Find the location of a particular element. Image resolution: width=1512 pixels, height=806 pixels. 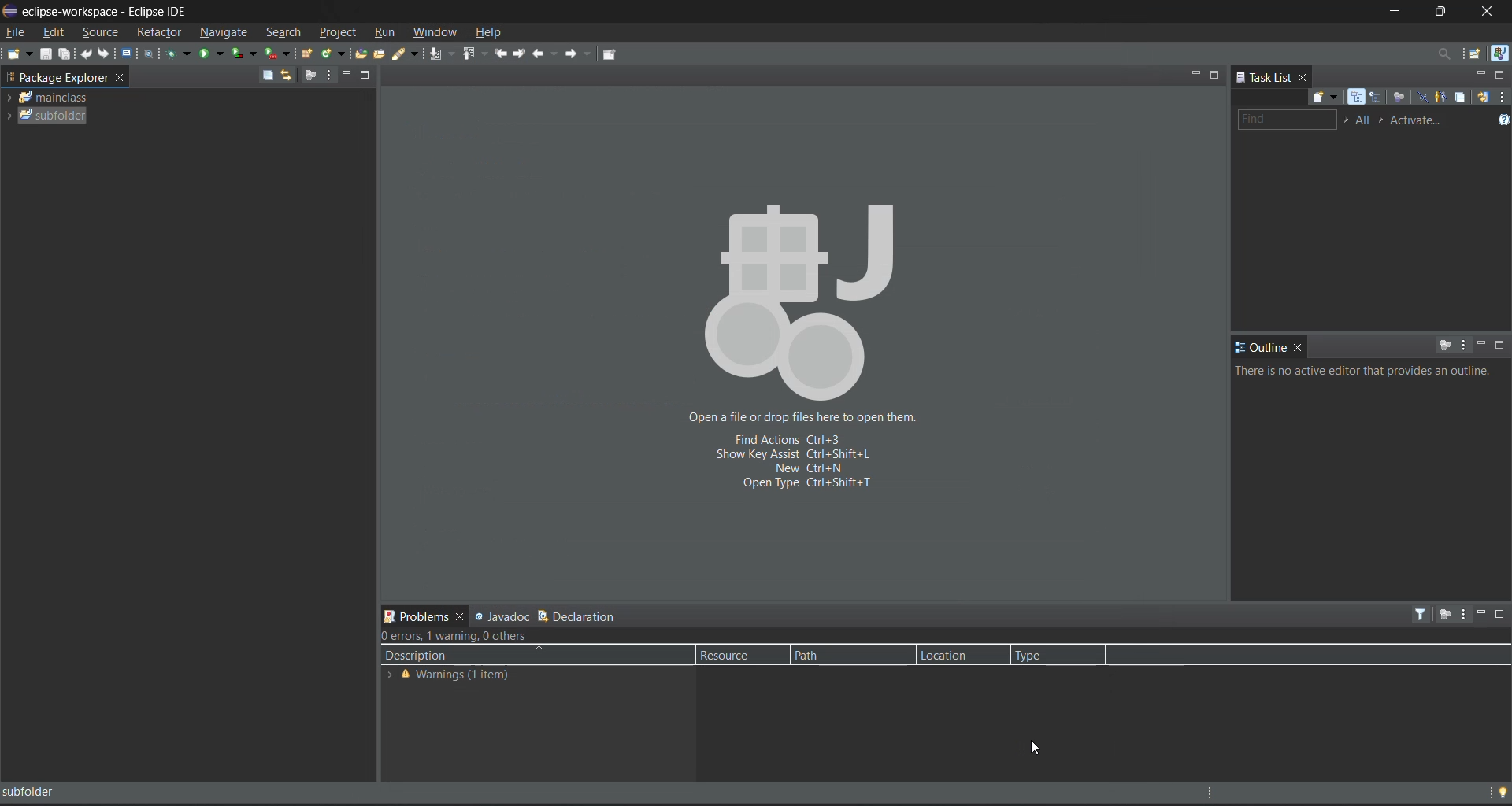

resource is located at coordinates (738, 656).